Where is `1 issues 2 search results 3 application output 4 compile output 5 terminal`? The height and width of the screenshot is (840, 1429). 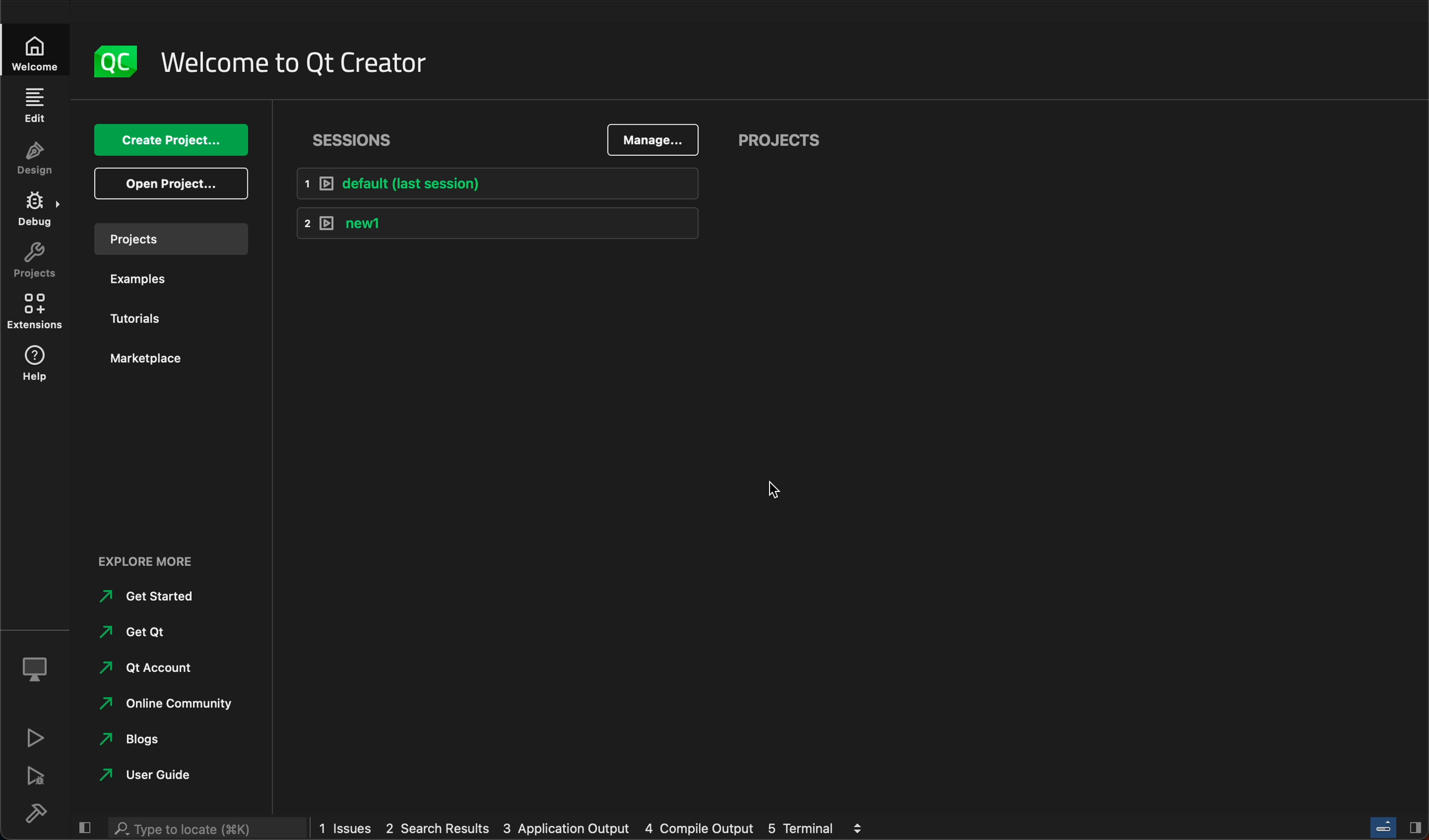
1 issues 2 search results 3 application output 4 compile output 5 terminal is located at coordinates (579, 828).